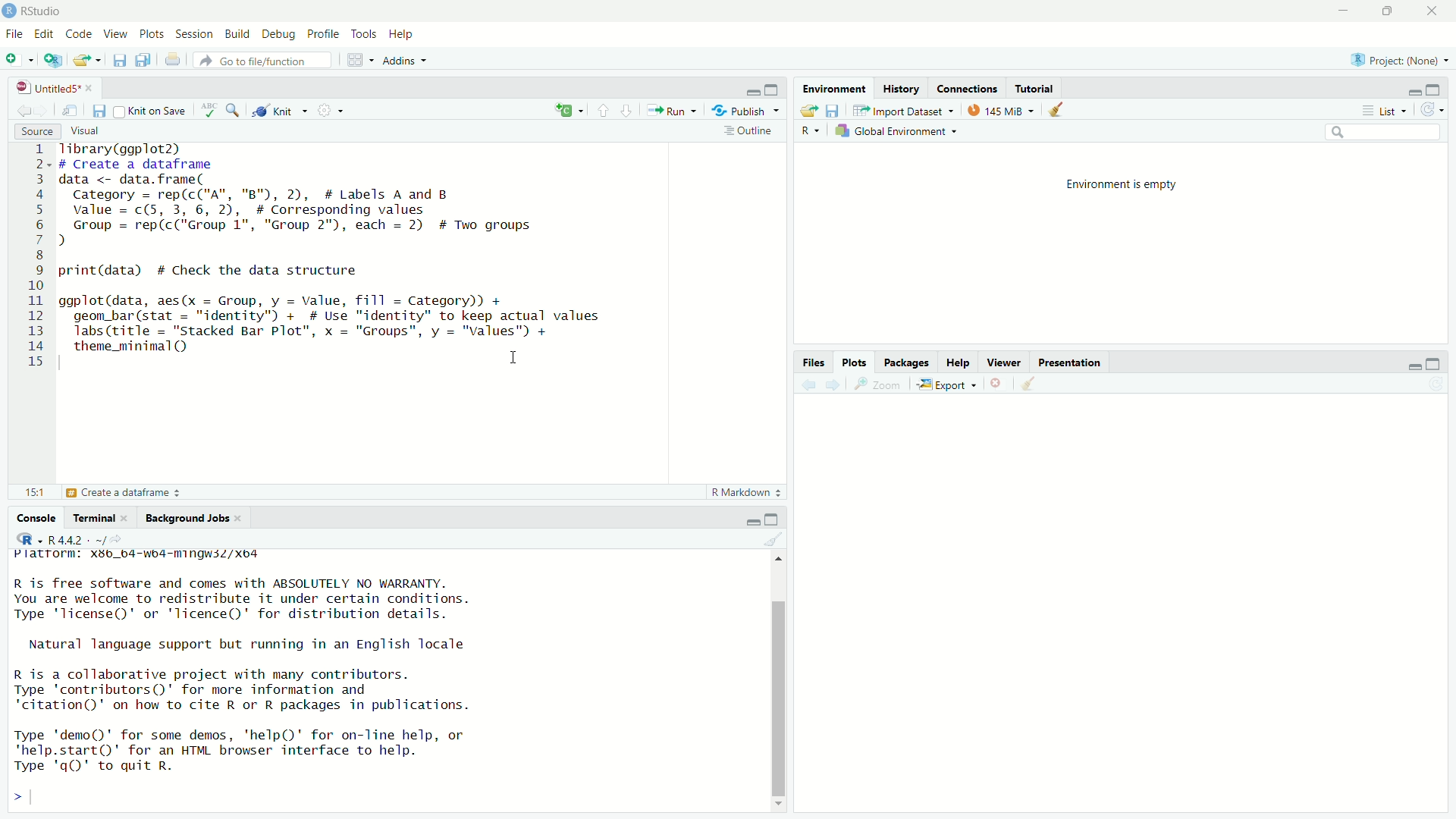 The width and height of the screenshot is (1456, 819). Describe the element at coordinates (802, 383) in the screenshot. I see `Go back to the previous source location (Ctrl + F9)` at that location.